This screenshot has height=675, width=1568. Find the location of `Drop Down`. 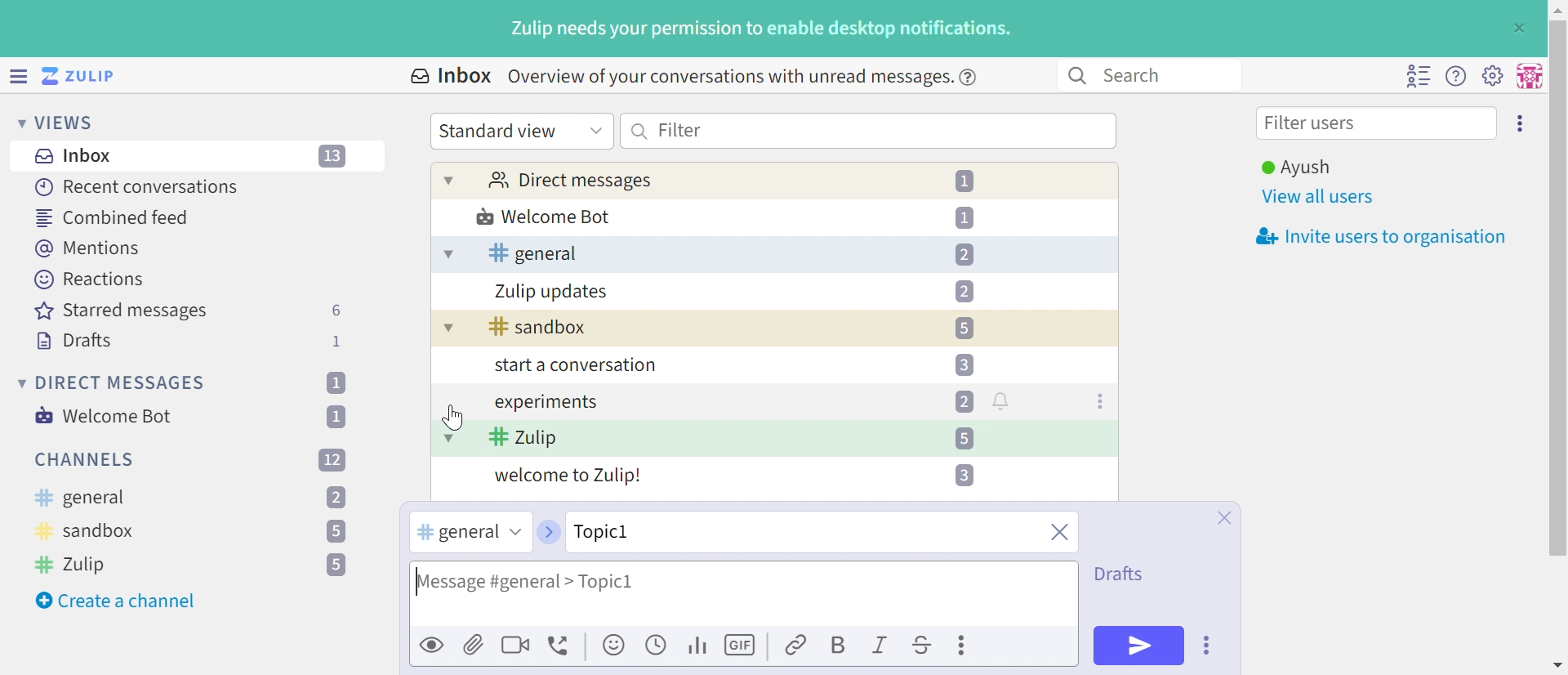

Drop Down is located at coordinates (448, 437).